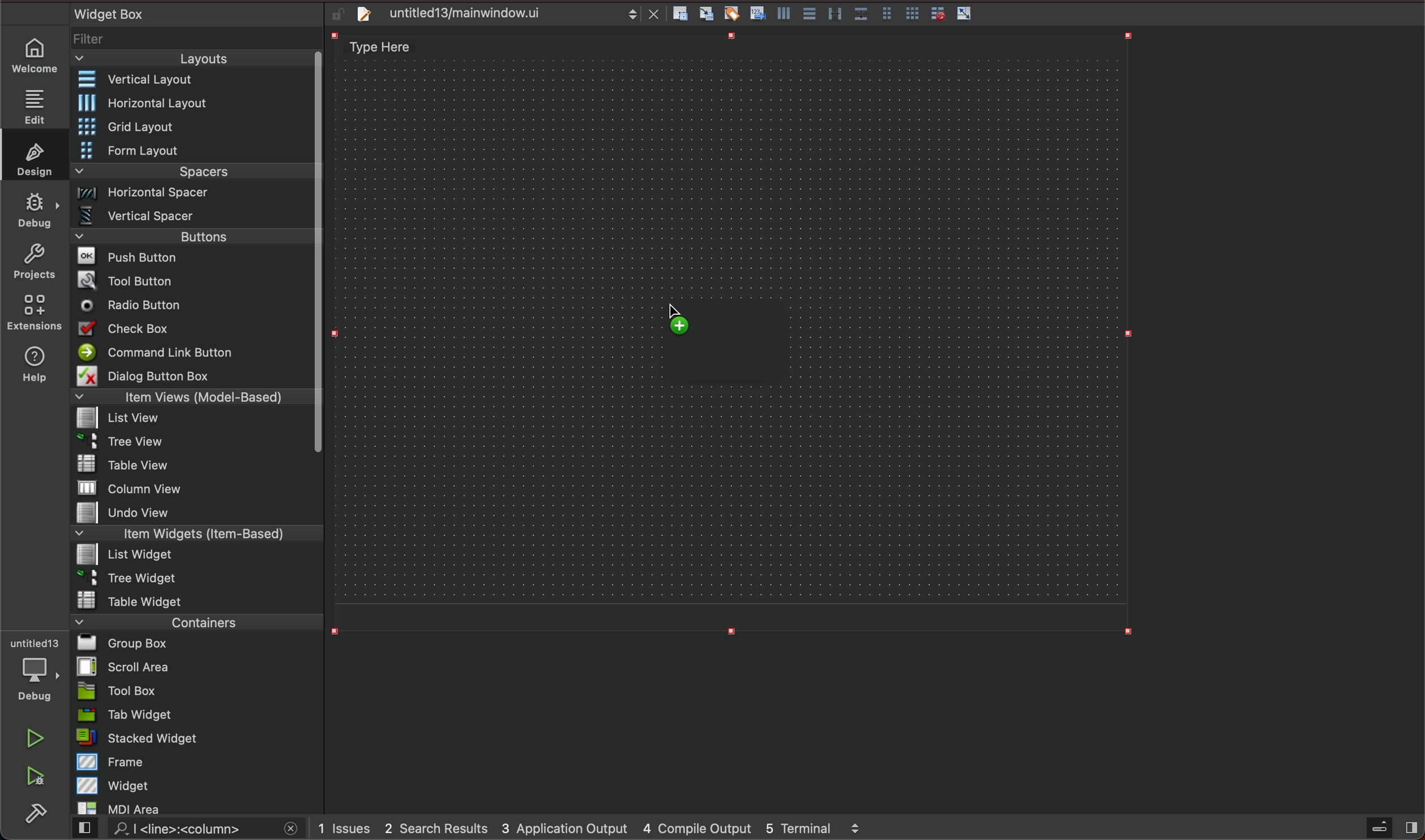 The height and width of the screenshot is (840, 1425). Describe the element at coordinates (194, 375) in the screenshot. I see `dialog button` at that location.